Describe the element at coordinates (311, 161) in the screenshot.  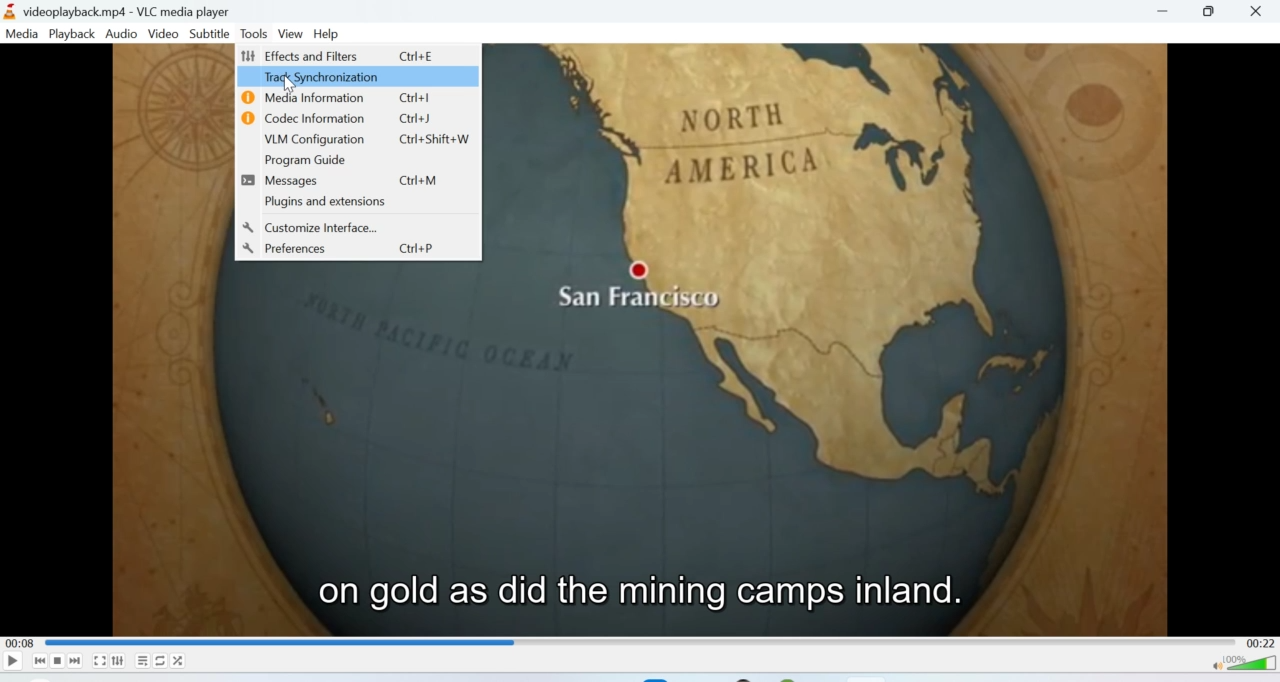
I see `Program Guide` at that location.